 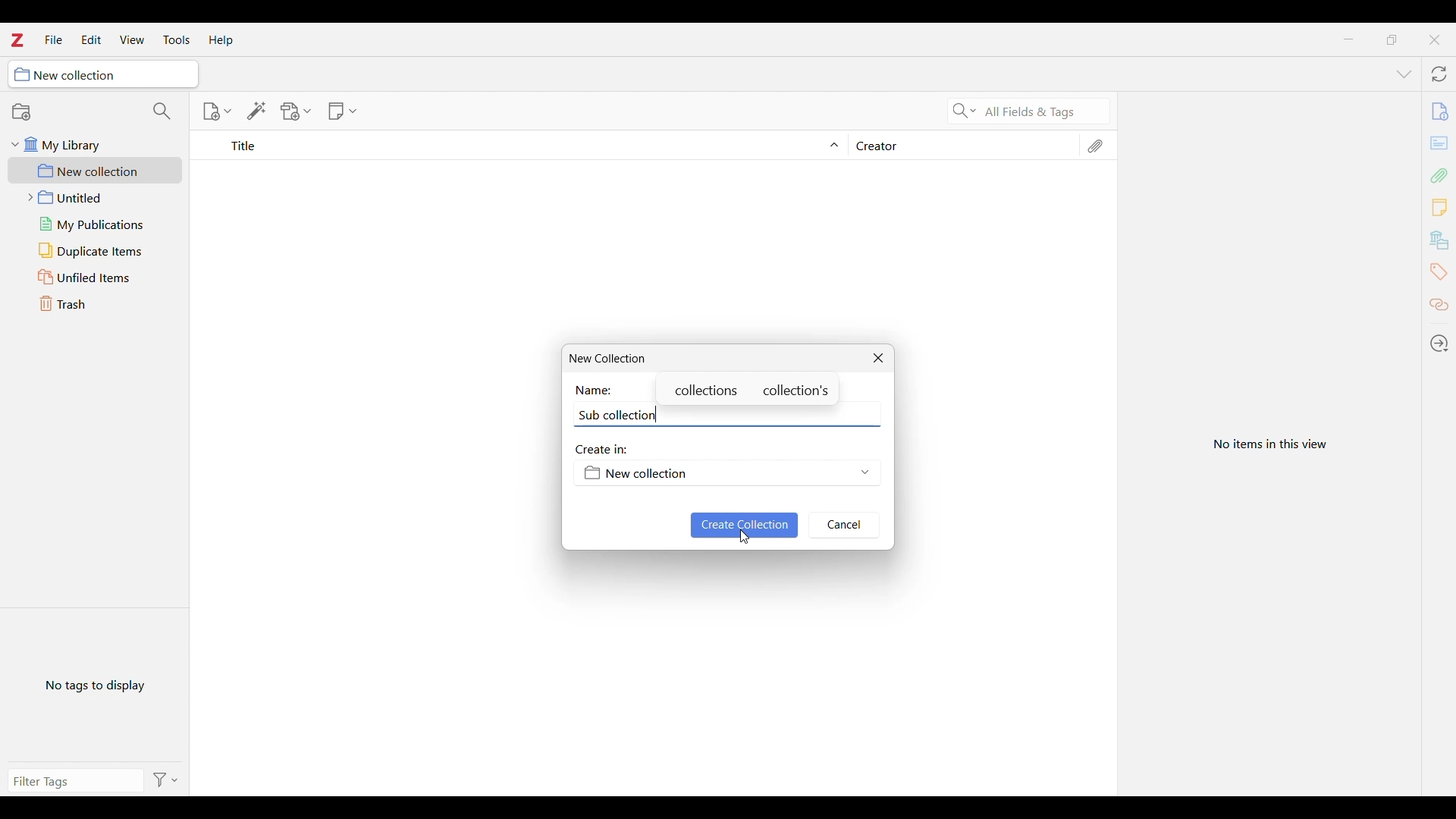 What do you see at coordinates (1438, 272) in the screenshot?
I see `Tags` at bounding box center [1438, 272].